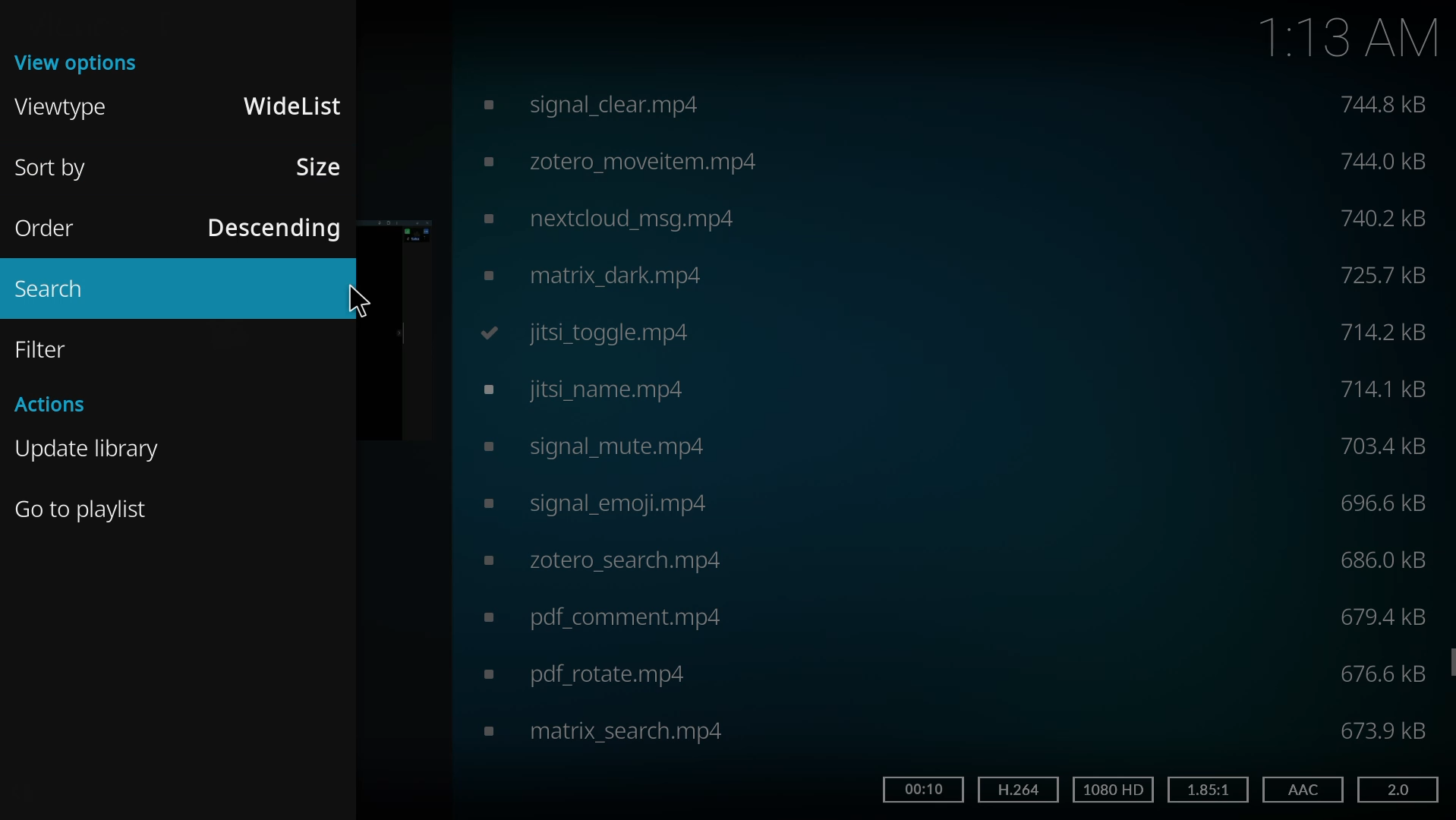  I want to click on size, so click(1379, 447).